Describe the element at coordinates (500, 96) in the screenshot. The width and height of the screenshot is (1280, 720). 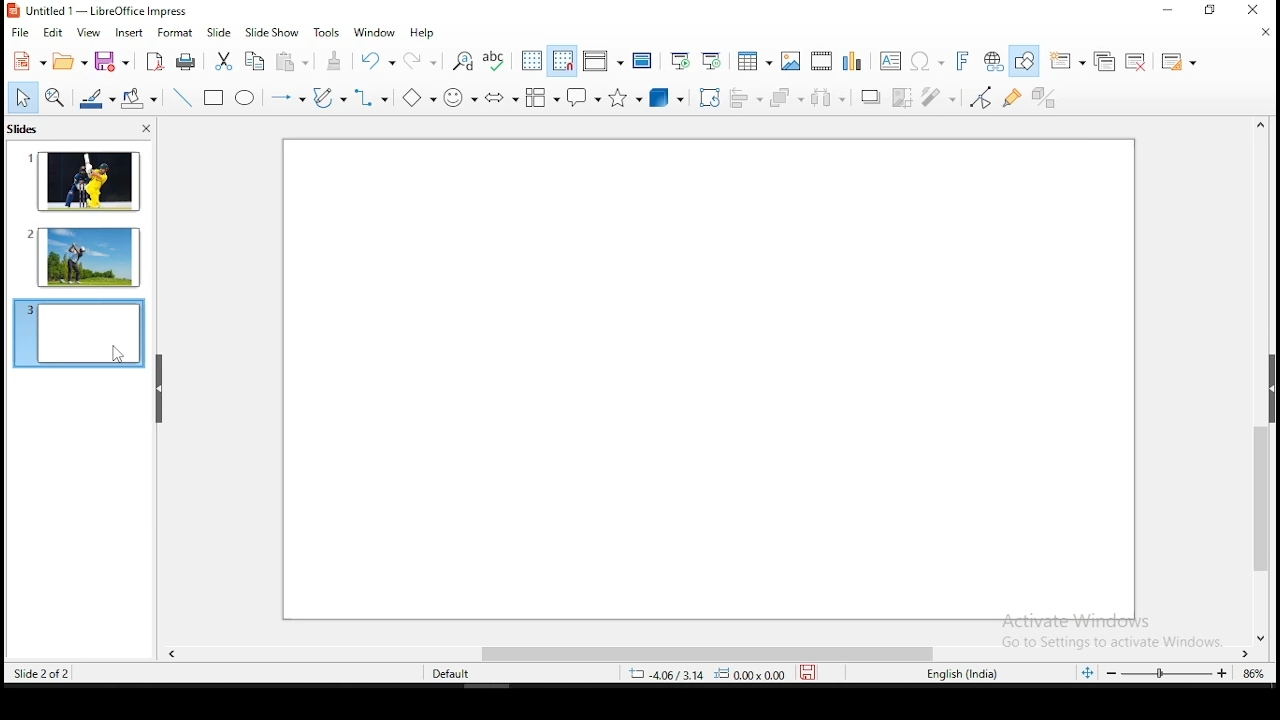
I see `block arrows` at that location.